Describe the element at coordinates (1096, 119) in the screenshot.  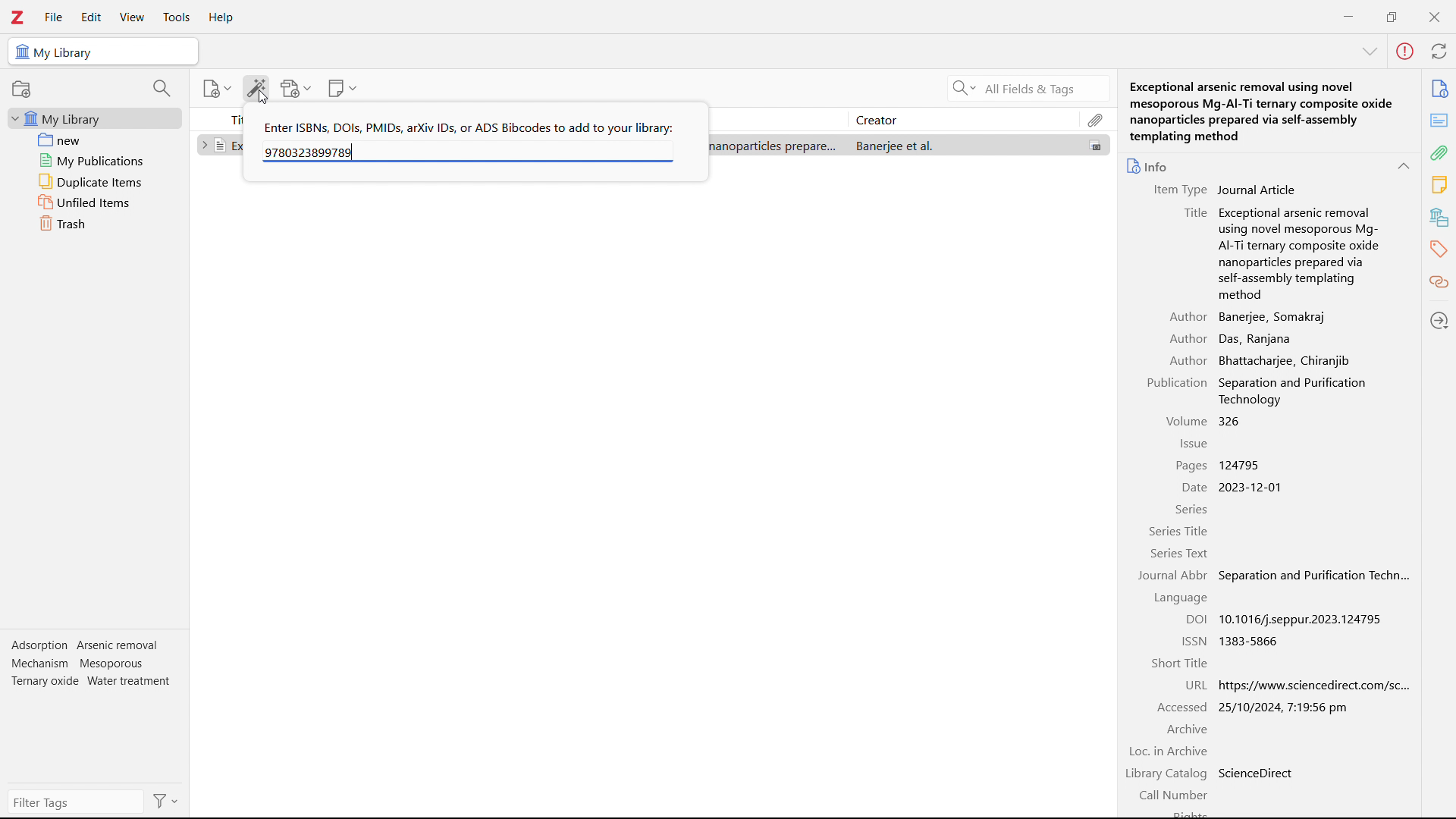
I see `attachments` at that location.